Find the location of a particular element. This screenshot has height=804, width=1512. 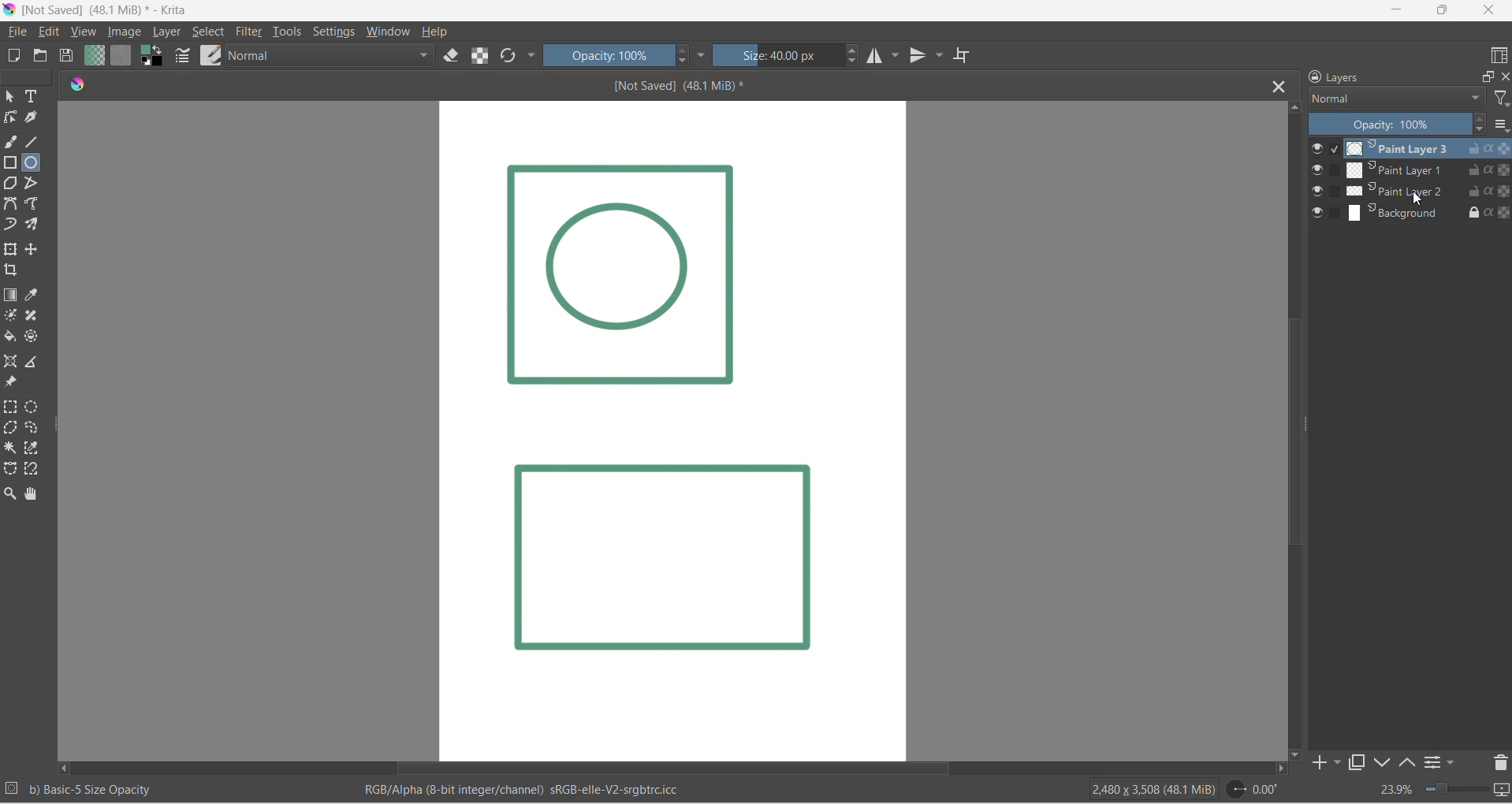

size is located at coordinates (779, 54).